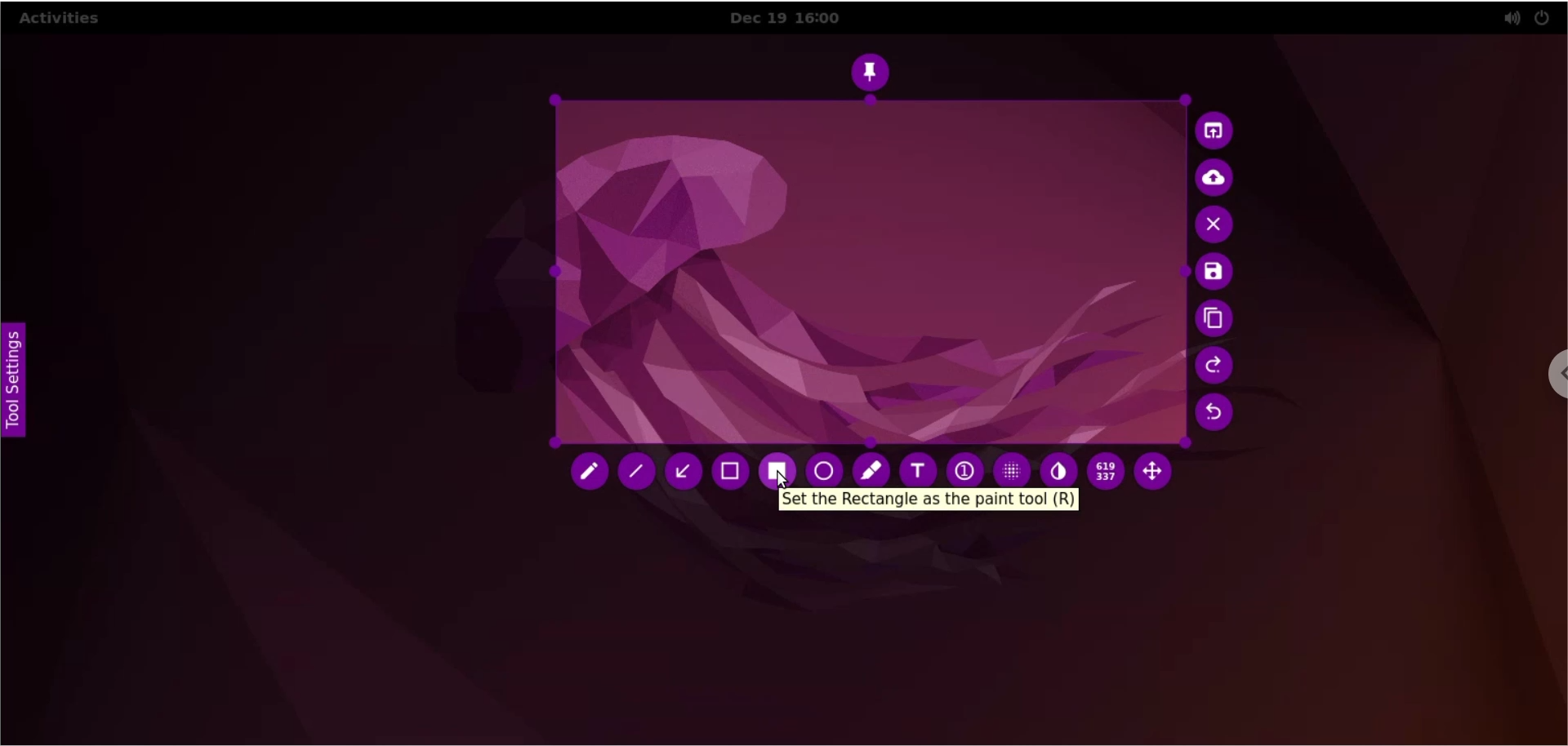  Describe the element at coordinates (1216, 226) in the screenshot. I see `cancel capture` at that location.